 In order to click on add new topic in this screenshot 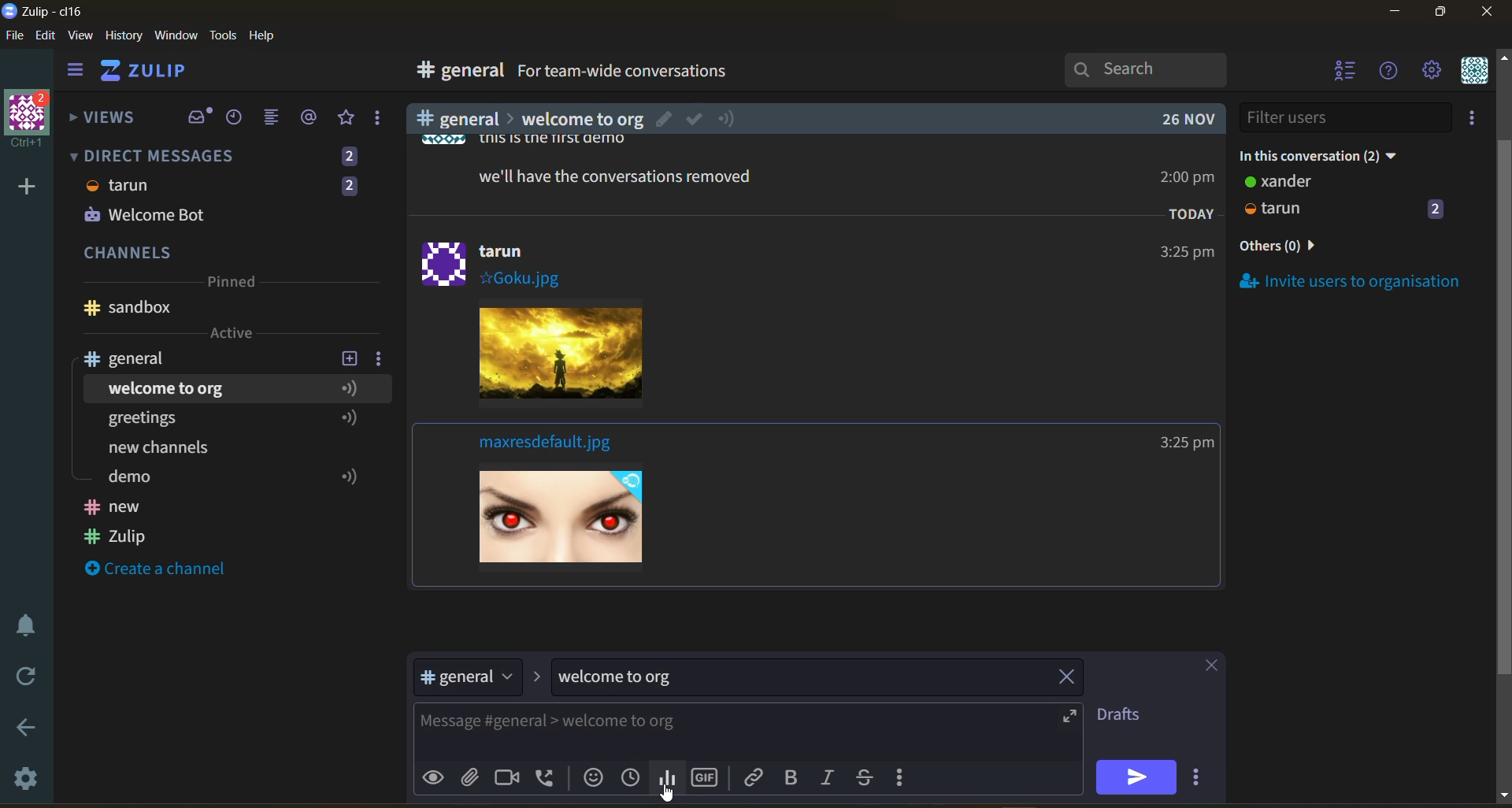, I will do `click(348, 356)`.